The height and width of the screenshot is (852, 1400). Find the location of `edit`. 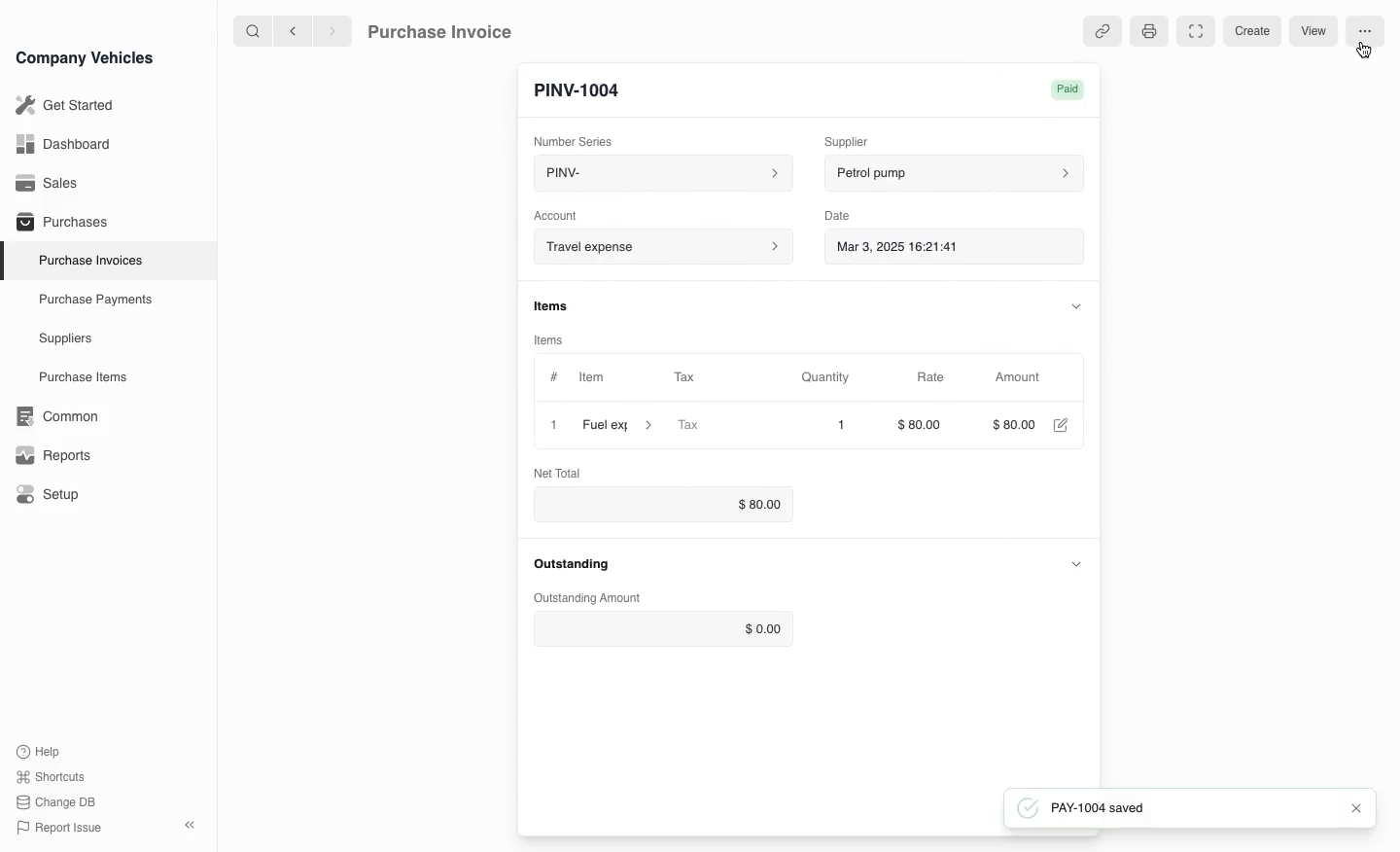

edit is located at coordinates (1060, 427).